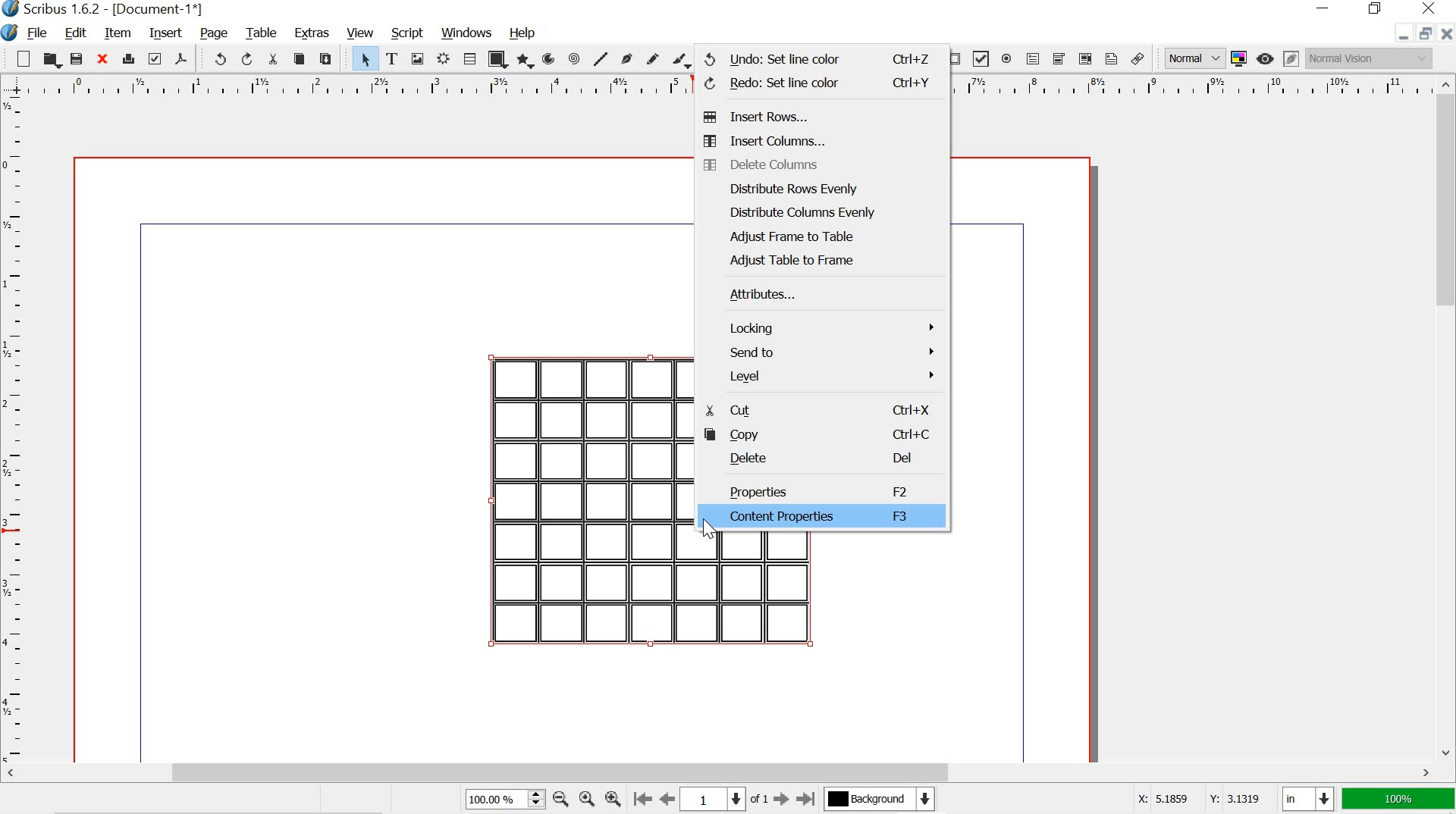 The height and width of the screenshot is (814, 1456). What do you see at coordinates (337, 86) in the screenshot?
I see `ruler` at bounding box center [337, 86].